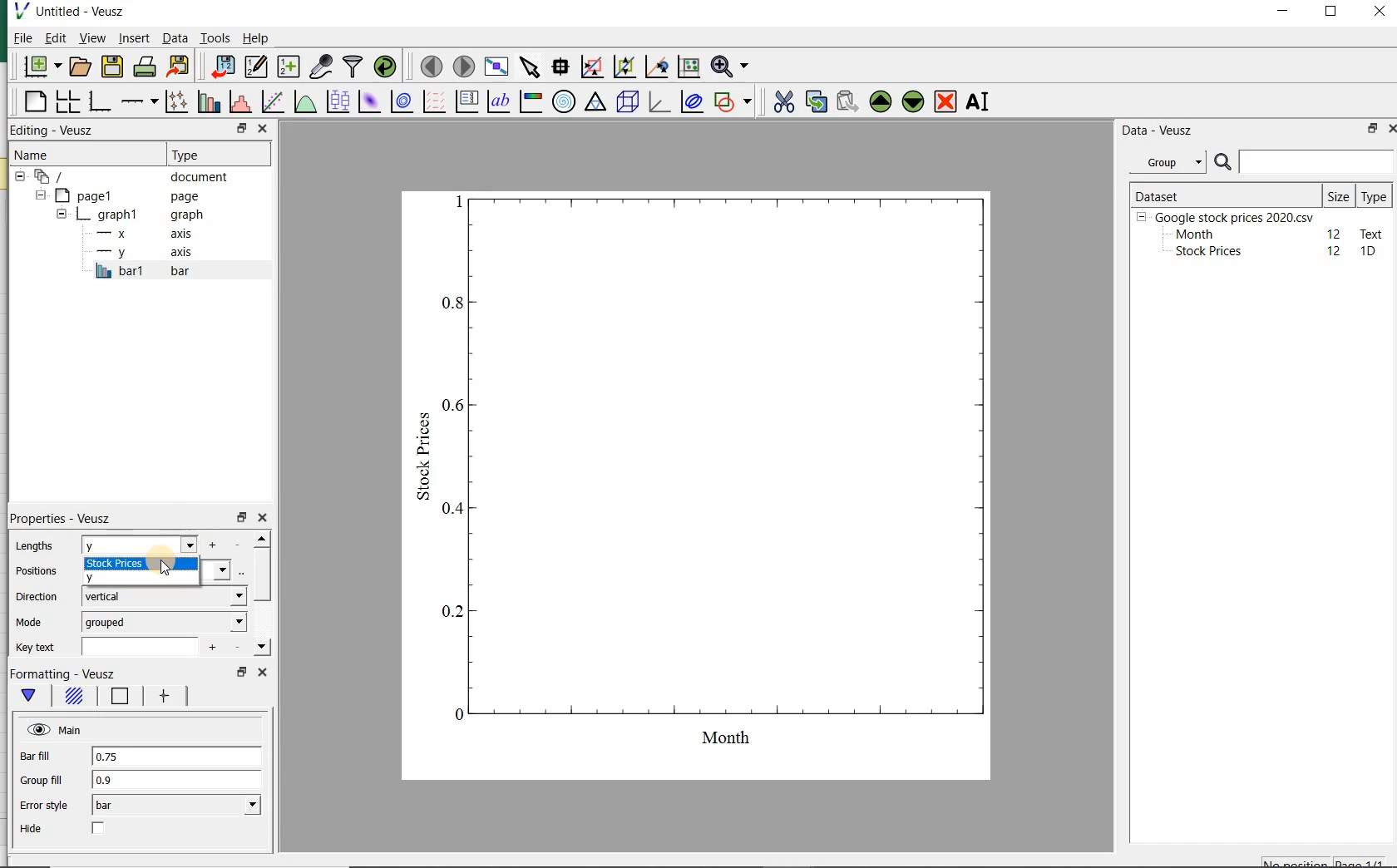 This screenshot has height=868, width=1397. What do you see at coordinates (559, 67) in the screenshot?
I see `read data points on the graph` at bounding box center [559, 67].